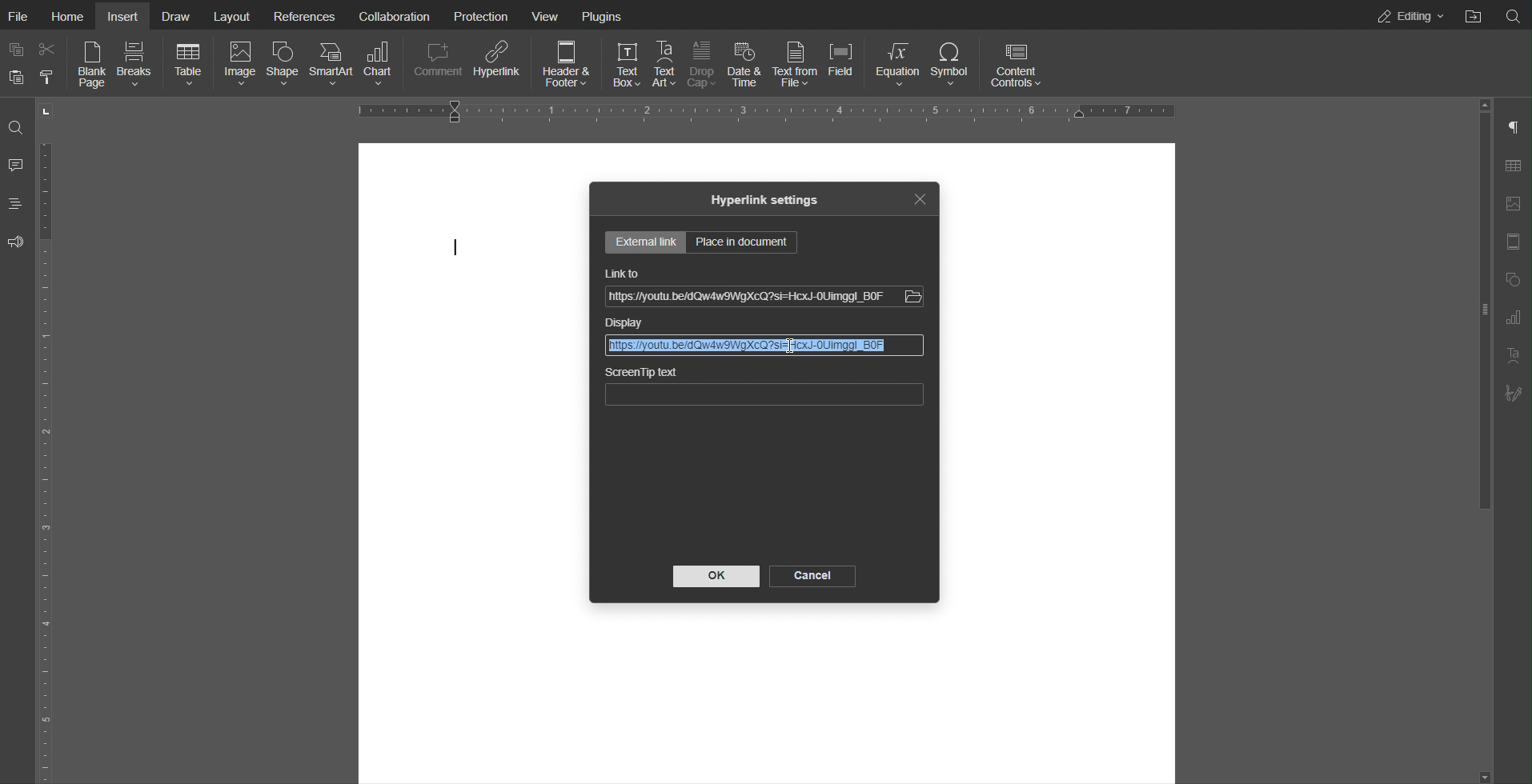 The width and height of the screenshot is (1532, 784). Describe the element at coordinates (603, 15) in the screenshot. I see `Plugins` at that location.